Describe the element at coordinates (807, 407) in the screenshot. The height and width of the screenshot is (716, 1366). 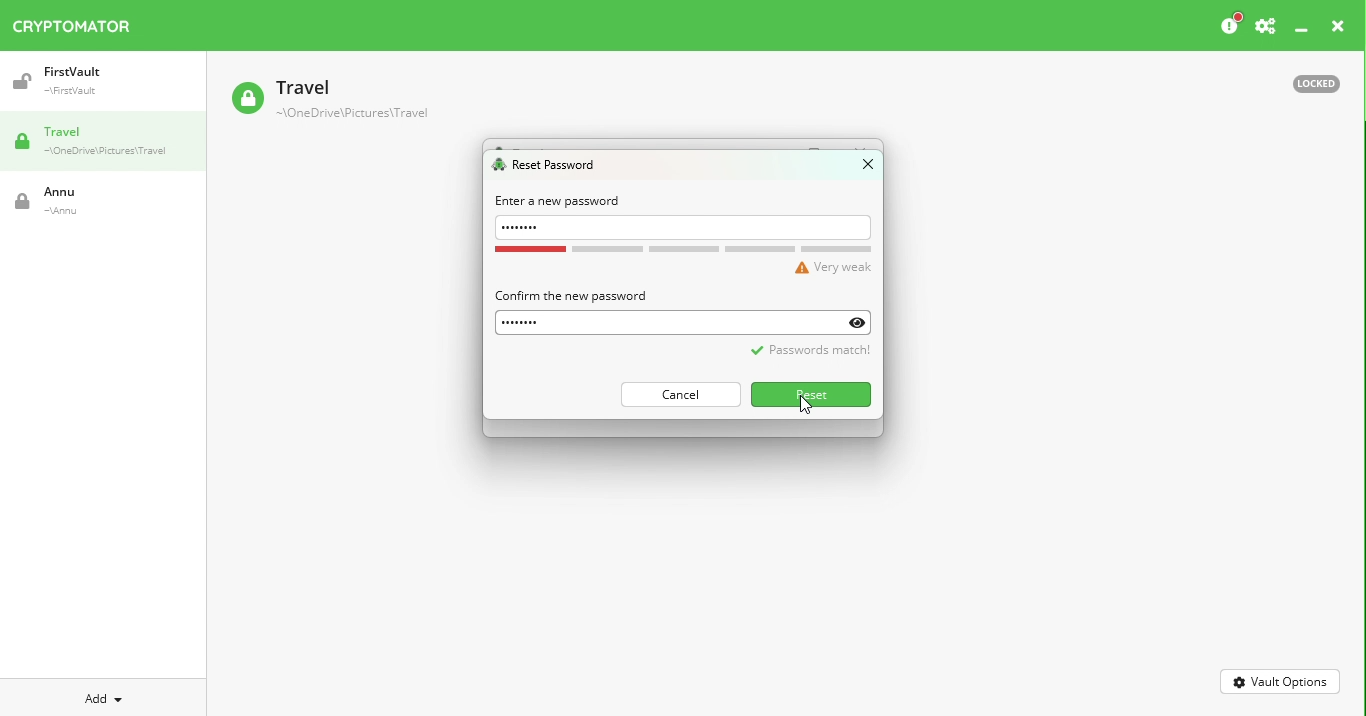
I see `Cursor` at that location.